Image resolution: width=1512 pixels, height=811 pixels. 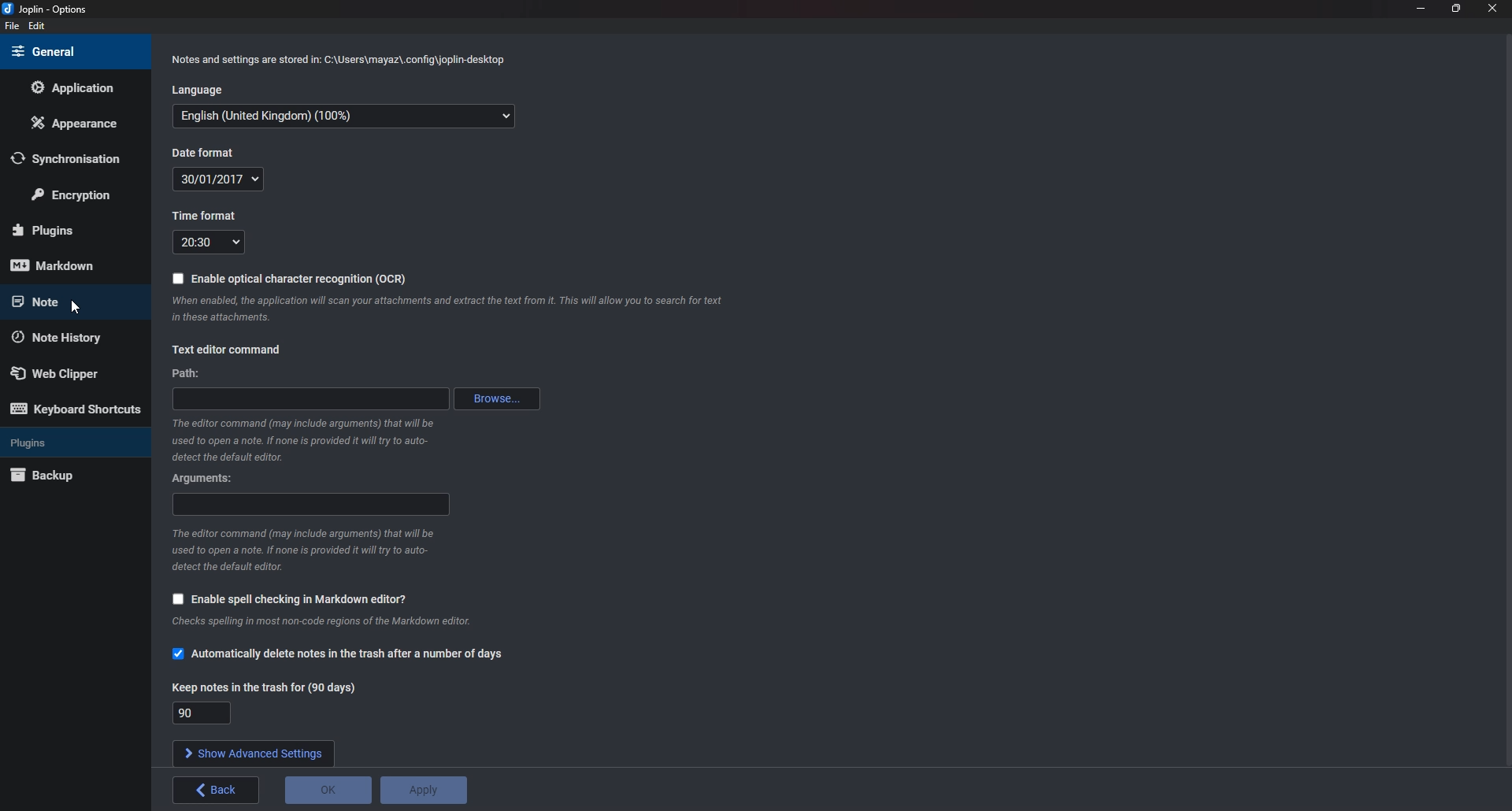 I want to click on Info, so click(x=306, y=440).